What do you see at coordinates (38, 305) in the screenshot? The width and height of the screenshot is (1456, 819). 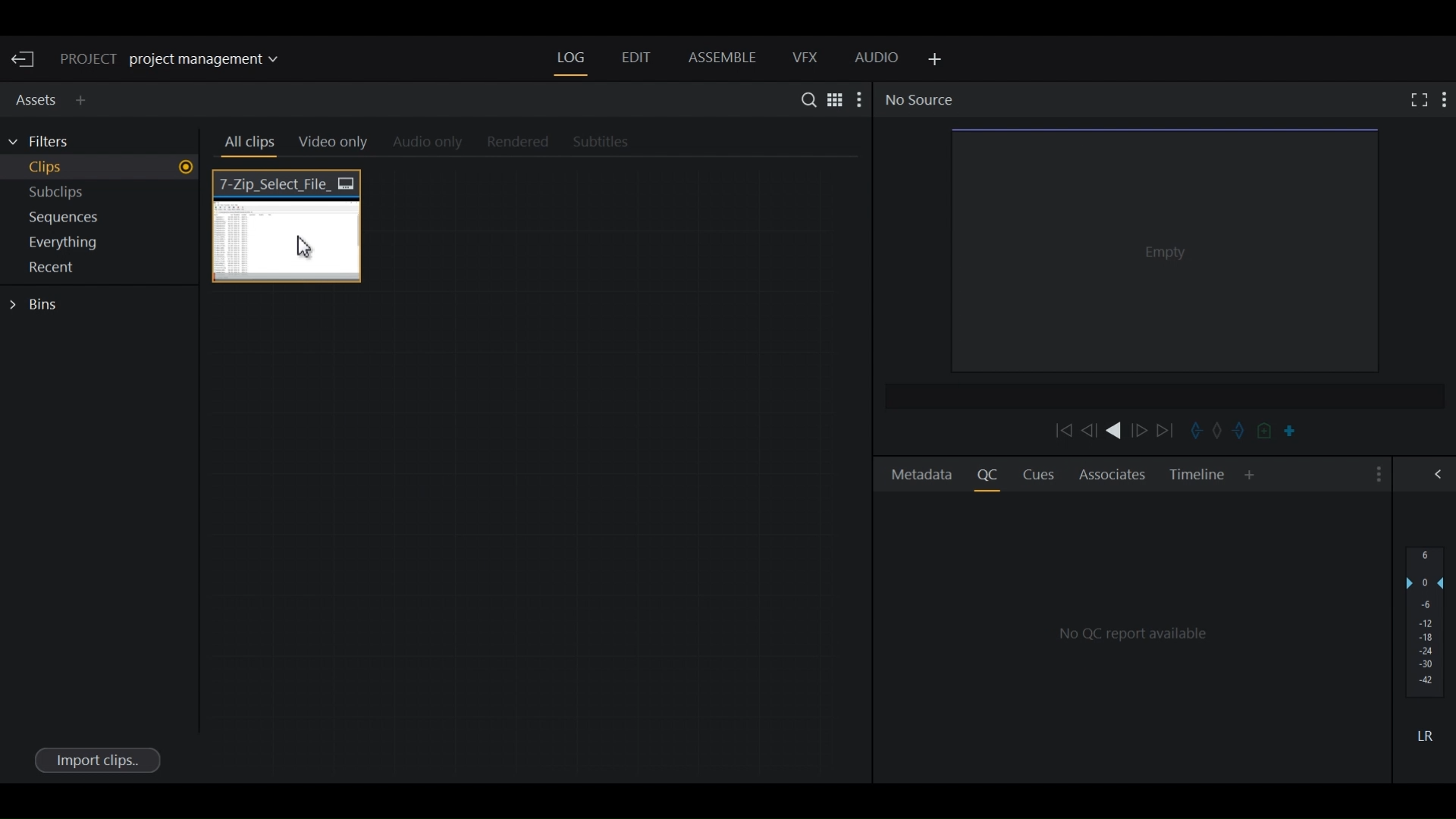 I see `Bins` at bounding box center [38, 305].